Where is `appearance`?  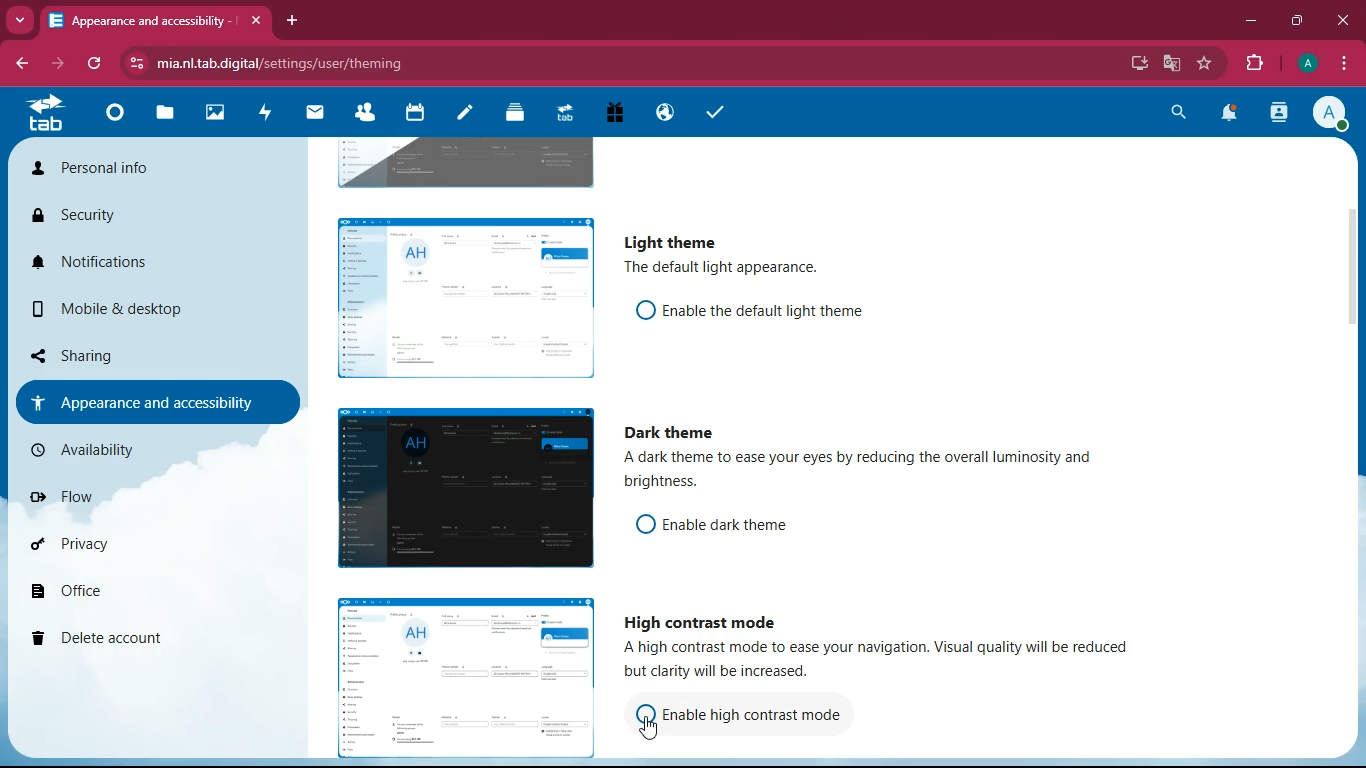 appearance is located at coordinates (146, 401).